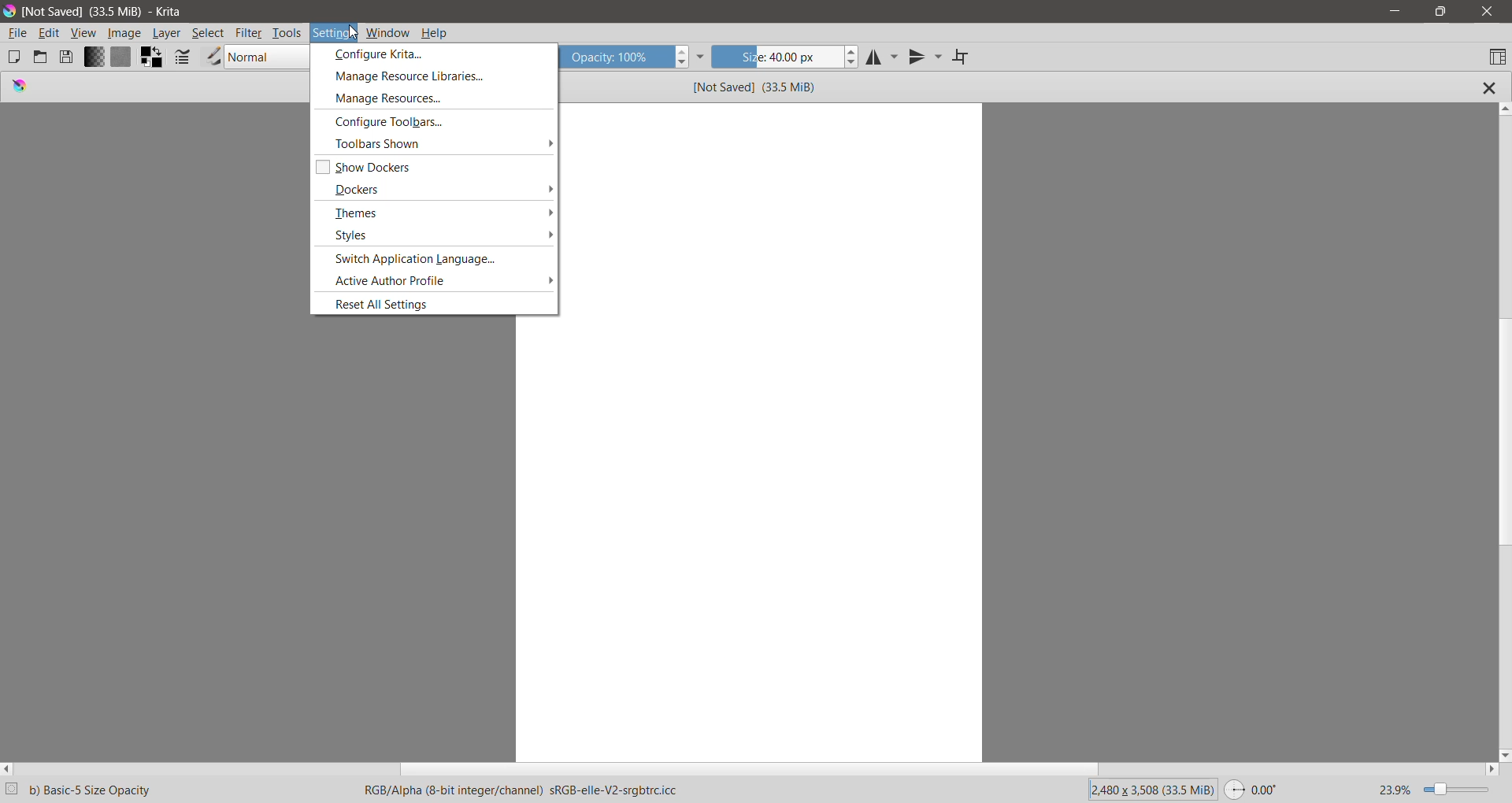 This screenshot has height=803, width=1512. Describe the element at coordinates (441, 234) in the screenshot. I see `Styles` at that location.